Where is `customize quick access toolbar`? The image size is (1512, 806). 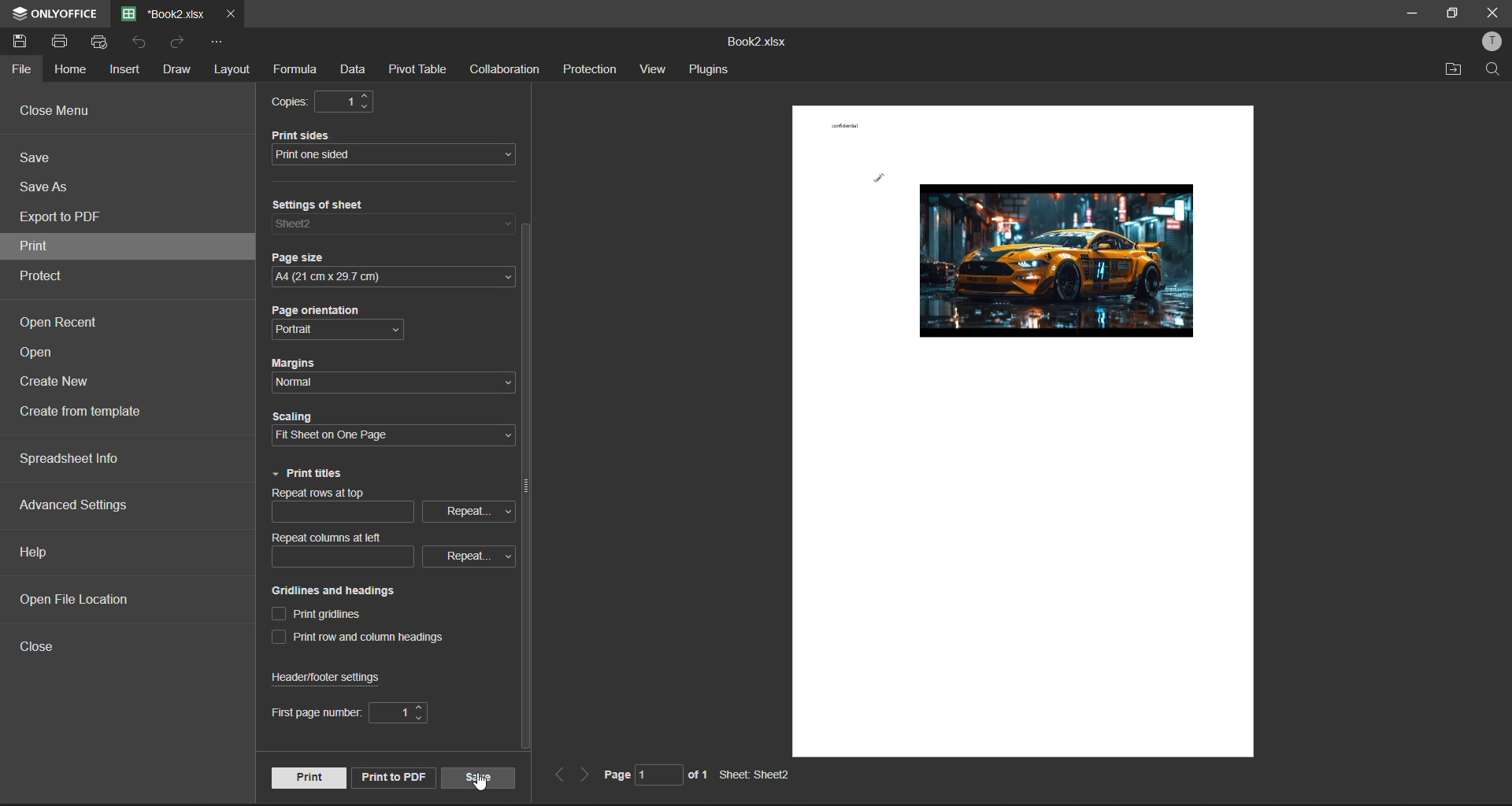
customize quick access toolbar is located at coordinates (223, 46).